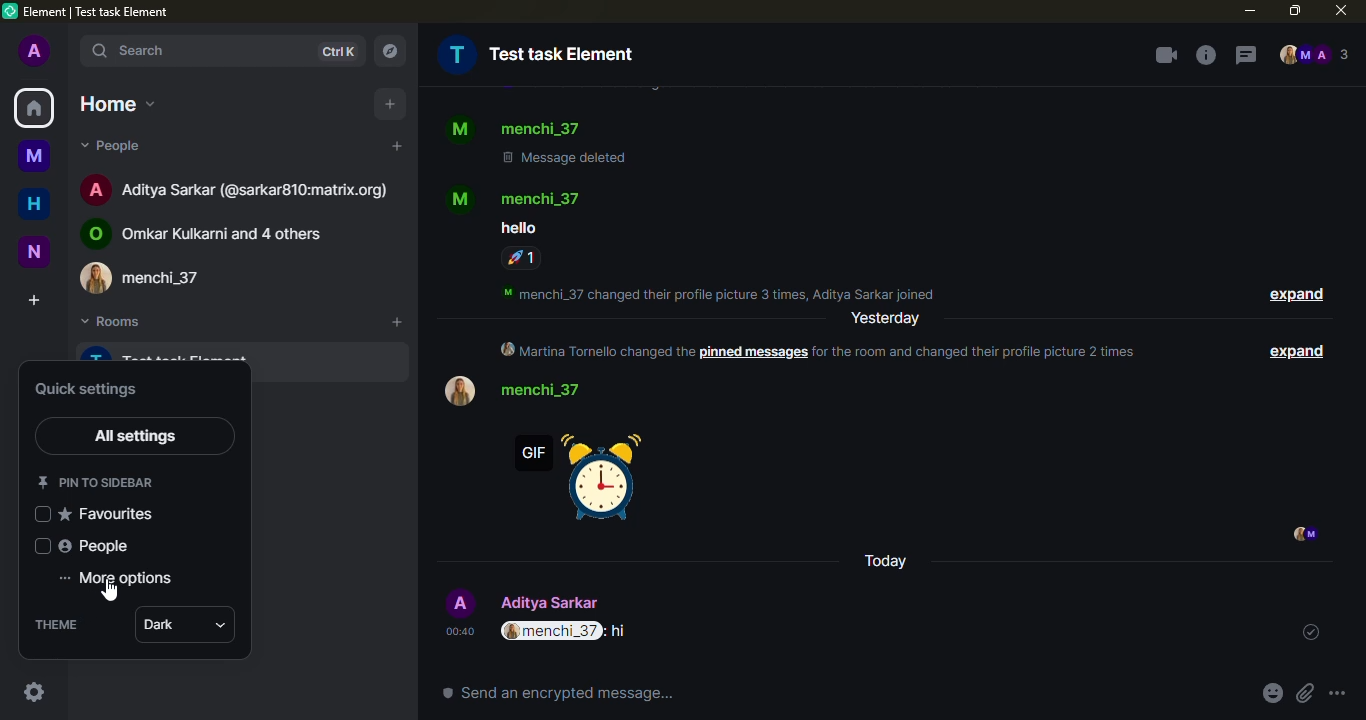 Image resolution: width=1366 pixels, height=720 pixels. What do you see at coordinates (548, 389) in the screenshot?
I see `contact` at bounding box center [548, 389].